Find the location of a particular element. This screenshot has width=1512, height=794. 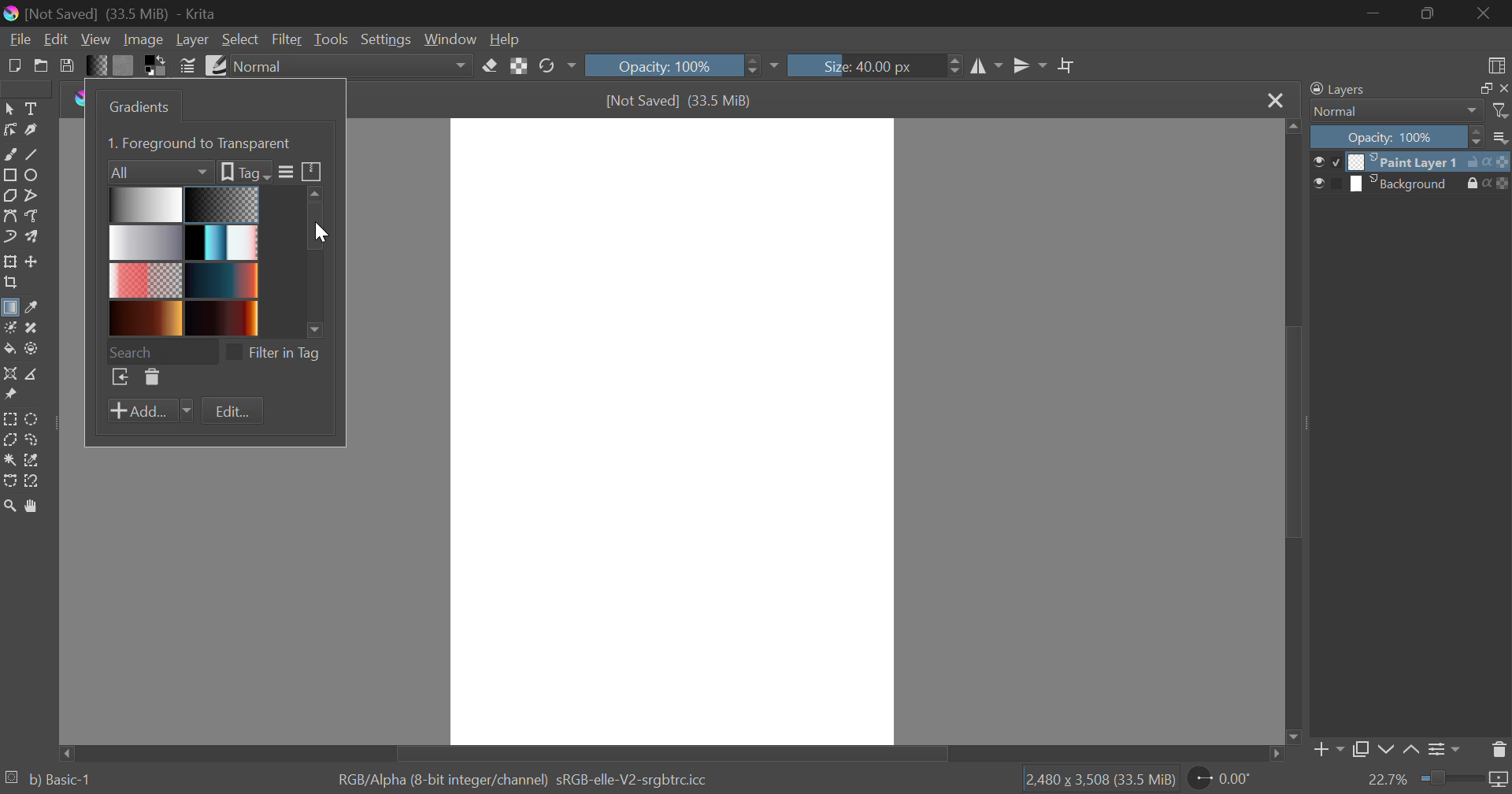

Tag is located at coordinates (244, 172).